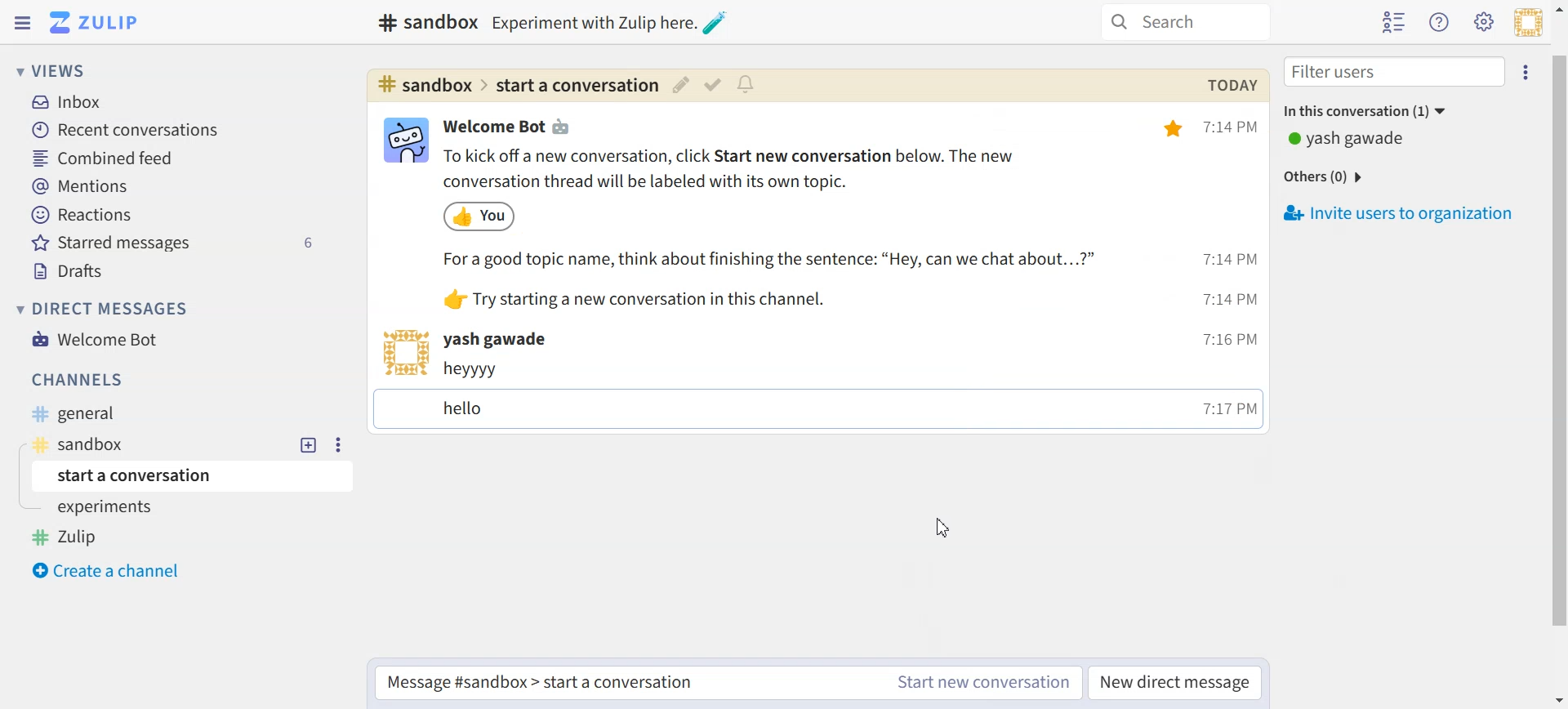 The height and width of the screenshot is (709, 1568). Describe the element at coordinates (107, 159) in the screenshot. I see `Combined feed` at that location.